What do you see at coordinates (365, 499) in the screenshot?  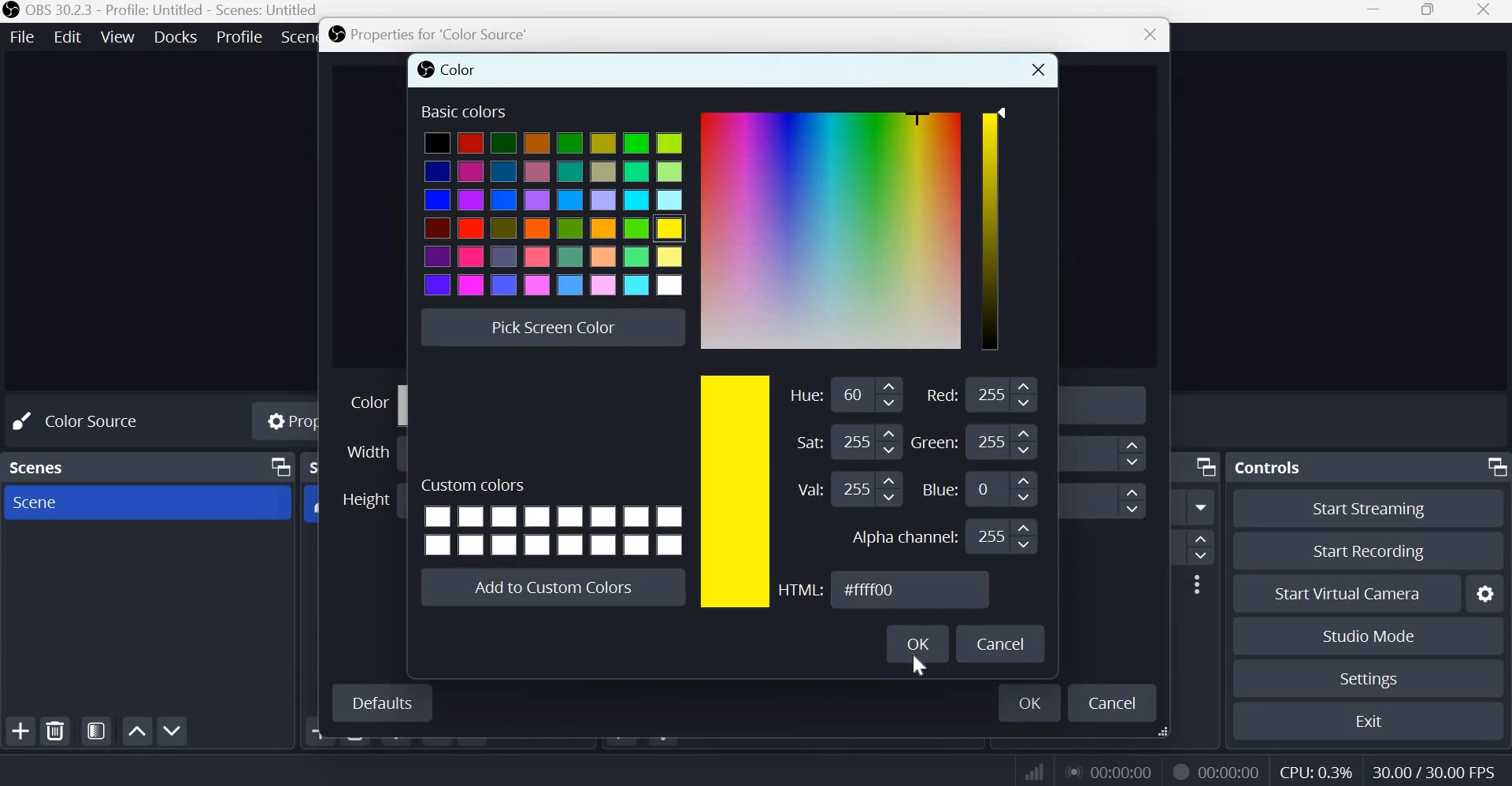 I see `Height` at bounding box center [365, 499].